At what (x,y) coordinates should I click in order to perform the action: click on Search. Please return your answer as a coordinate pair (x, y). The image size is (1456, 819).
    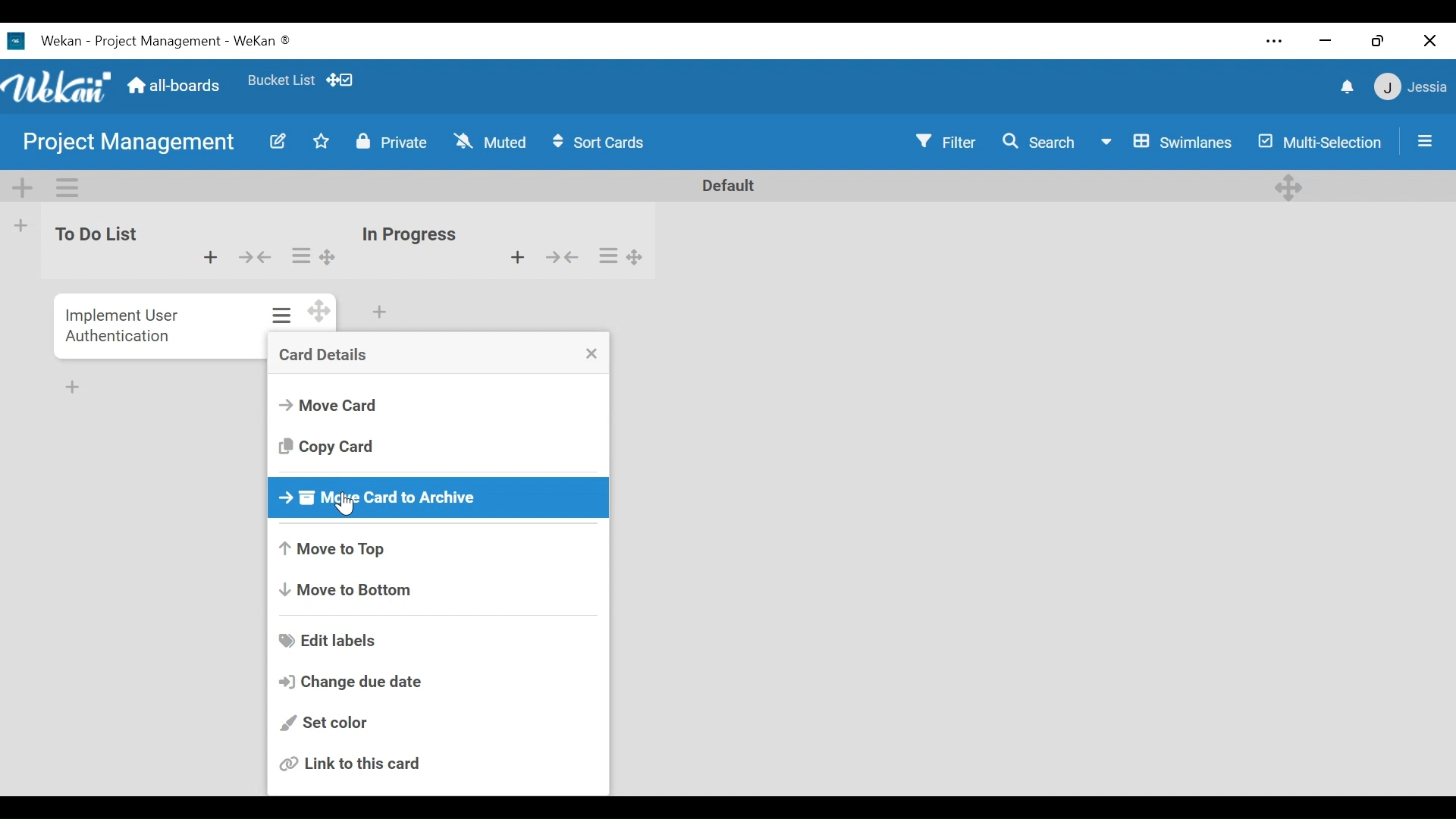
    Looking at the image, I should click on (1044, 142).